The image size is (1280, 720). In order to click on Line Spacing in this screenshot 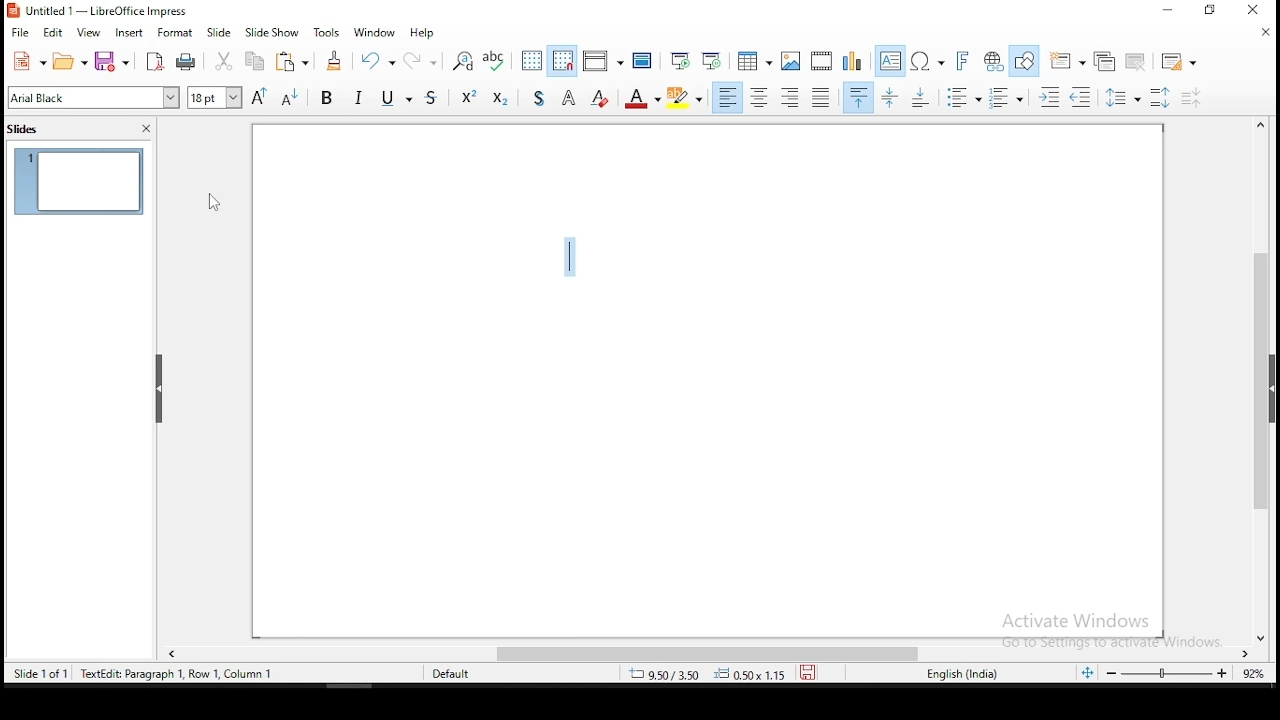, I will do `click(1124, 97)`.